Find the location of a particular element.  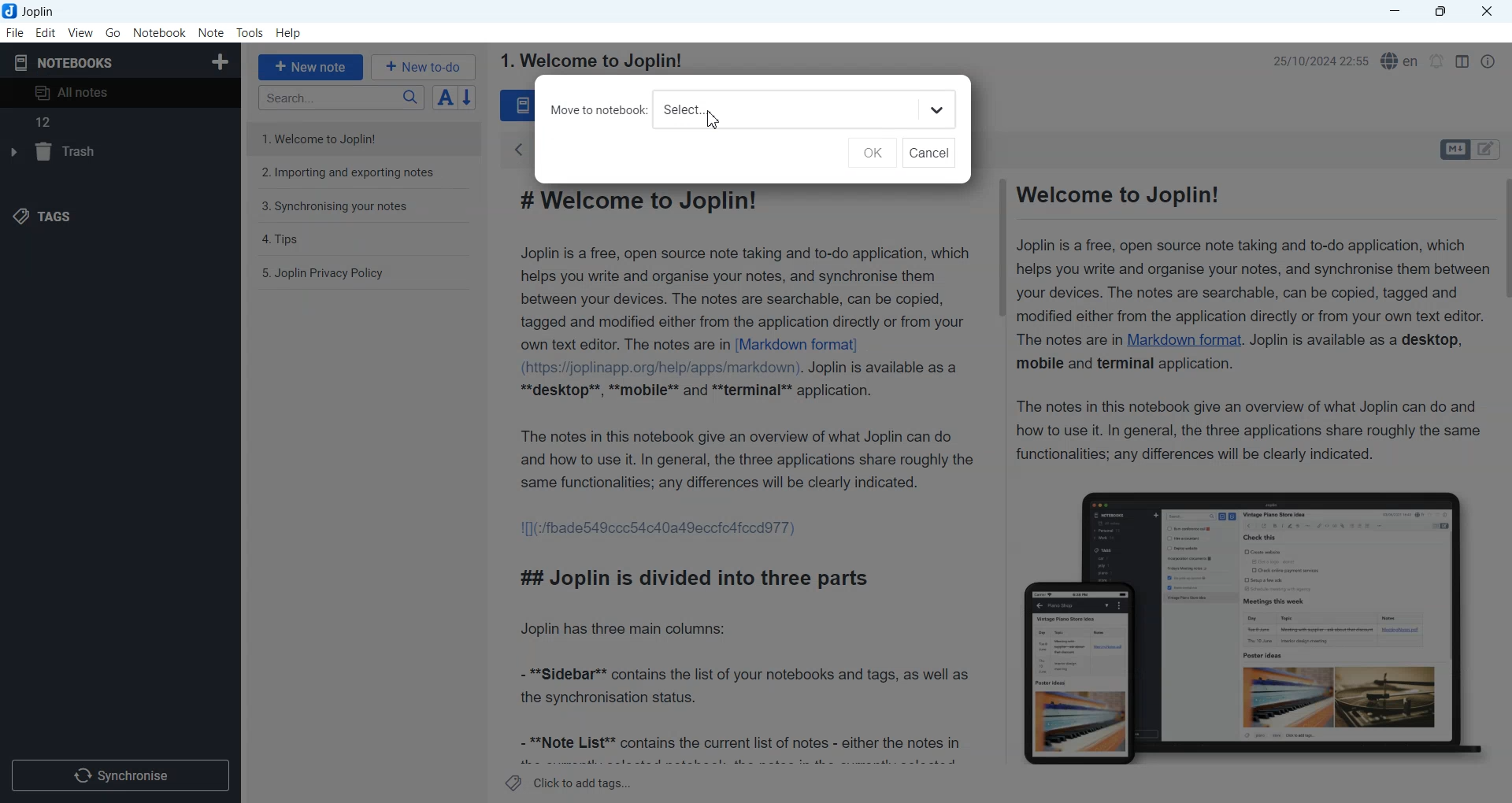

File  is located at coordinates (14, 32).